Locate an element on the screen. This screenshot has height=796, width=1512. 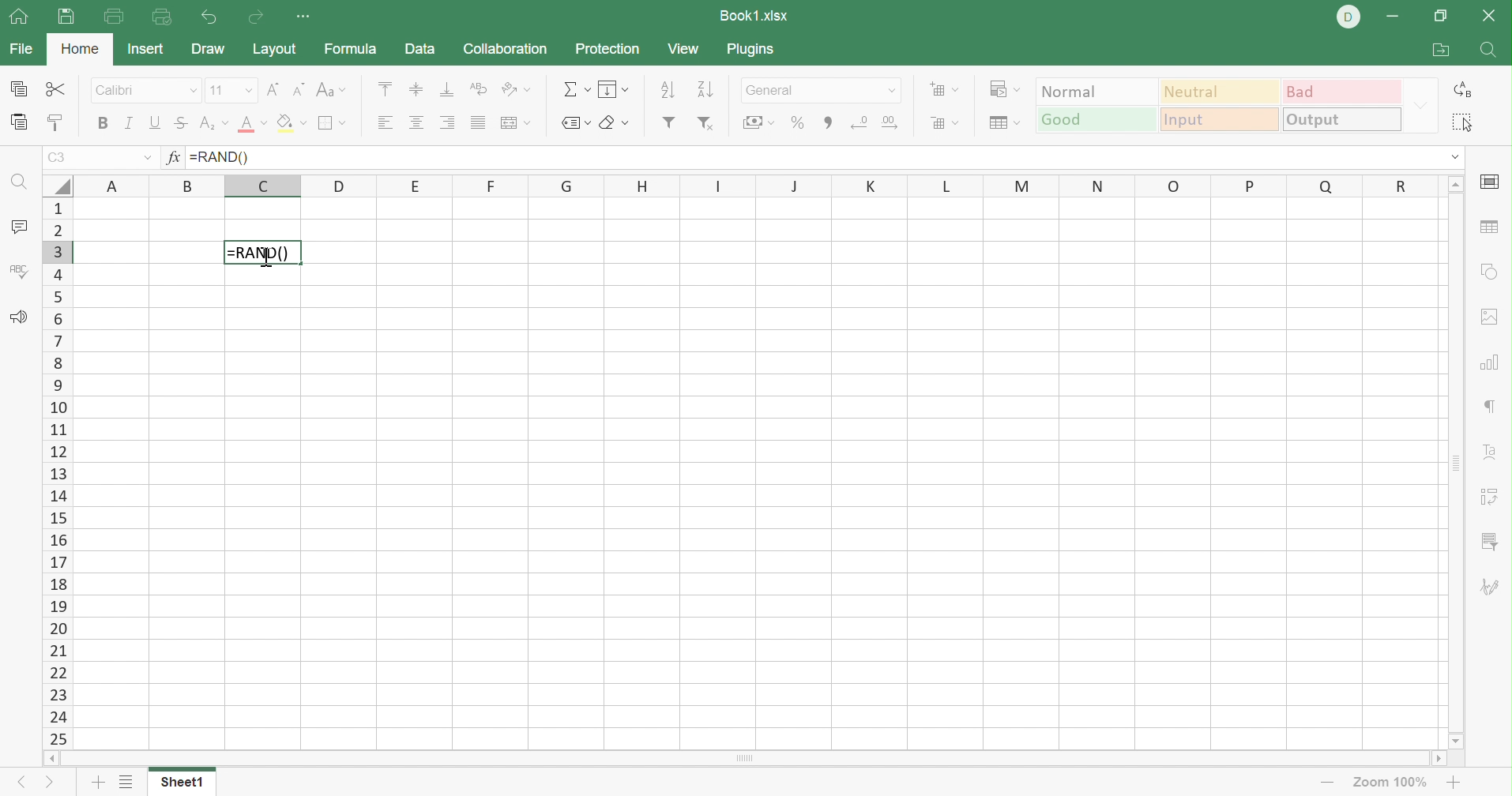
Layout is located at coordinates (274, 50).